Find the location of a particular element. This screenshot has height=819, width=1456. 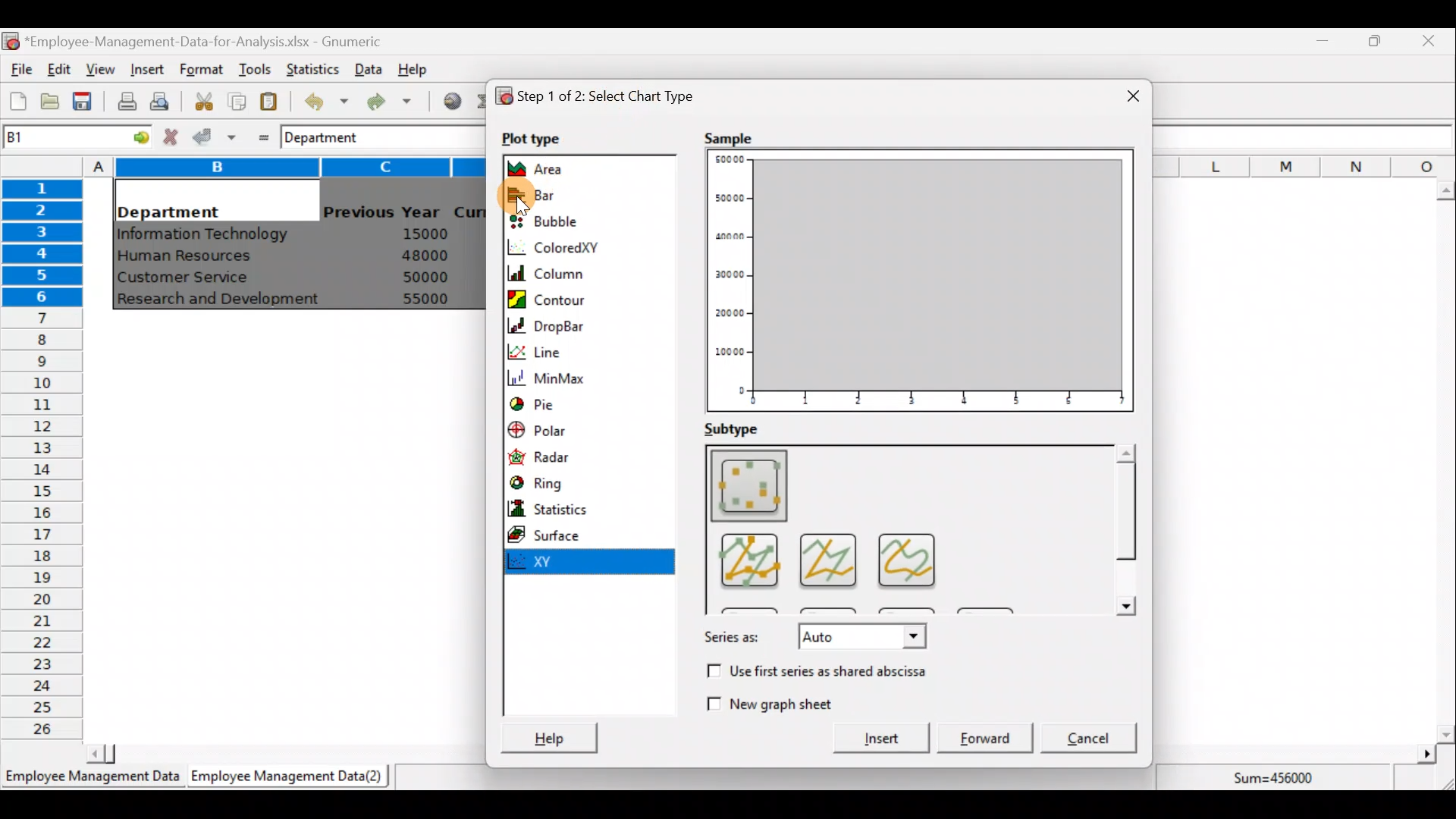

Accept change is located at coordinates (215, 136).